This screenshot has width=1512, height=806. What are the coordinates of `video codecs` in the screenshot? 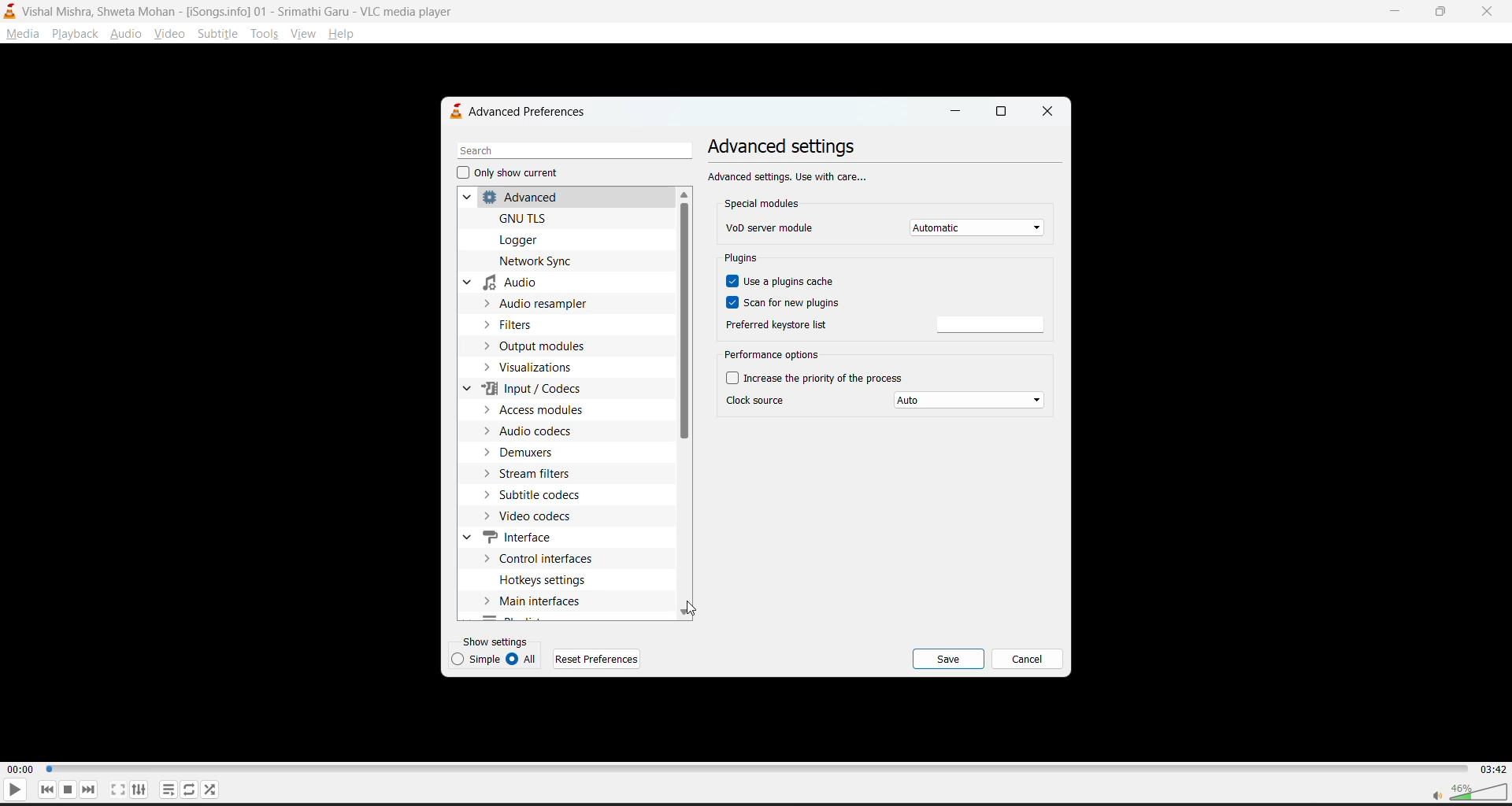 It's located at (539, 516).